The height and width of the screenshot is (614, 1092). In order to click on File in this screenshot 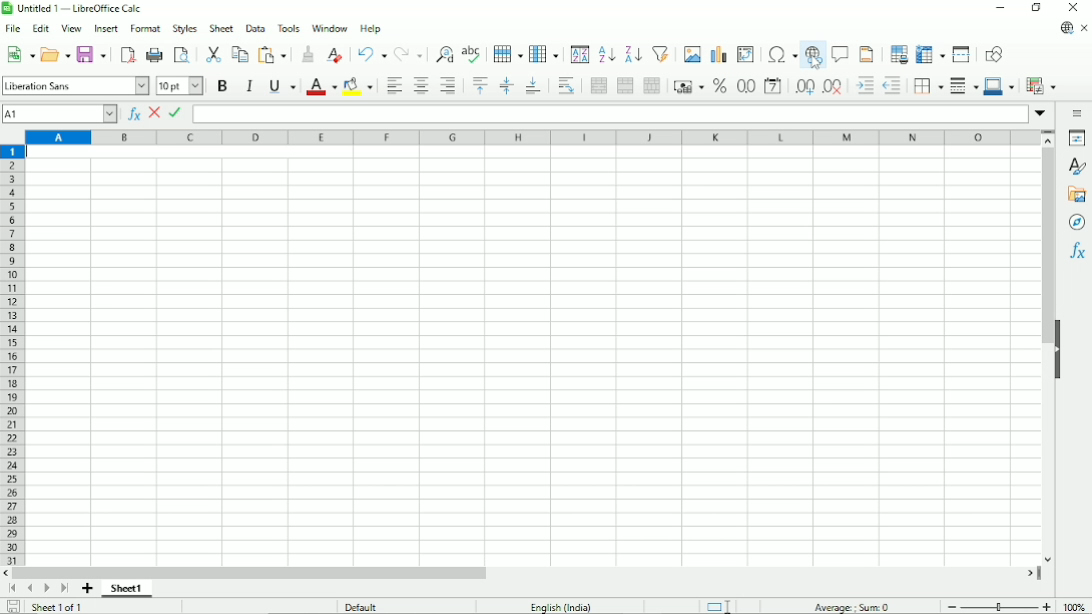, I will do `click(13, 29)`.